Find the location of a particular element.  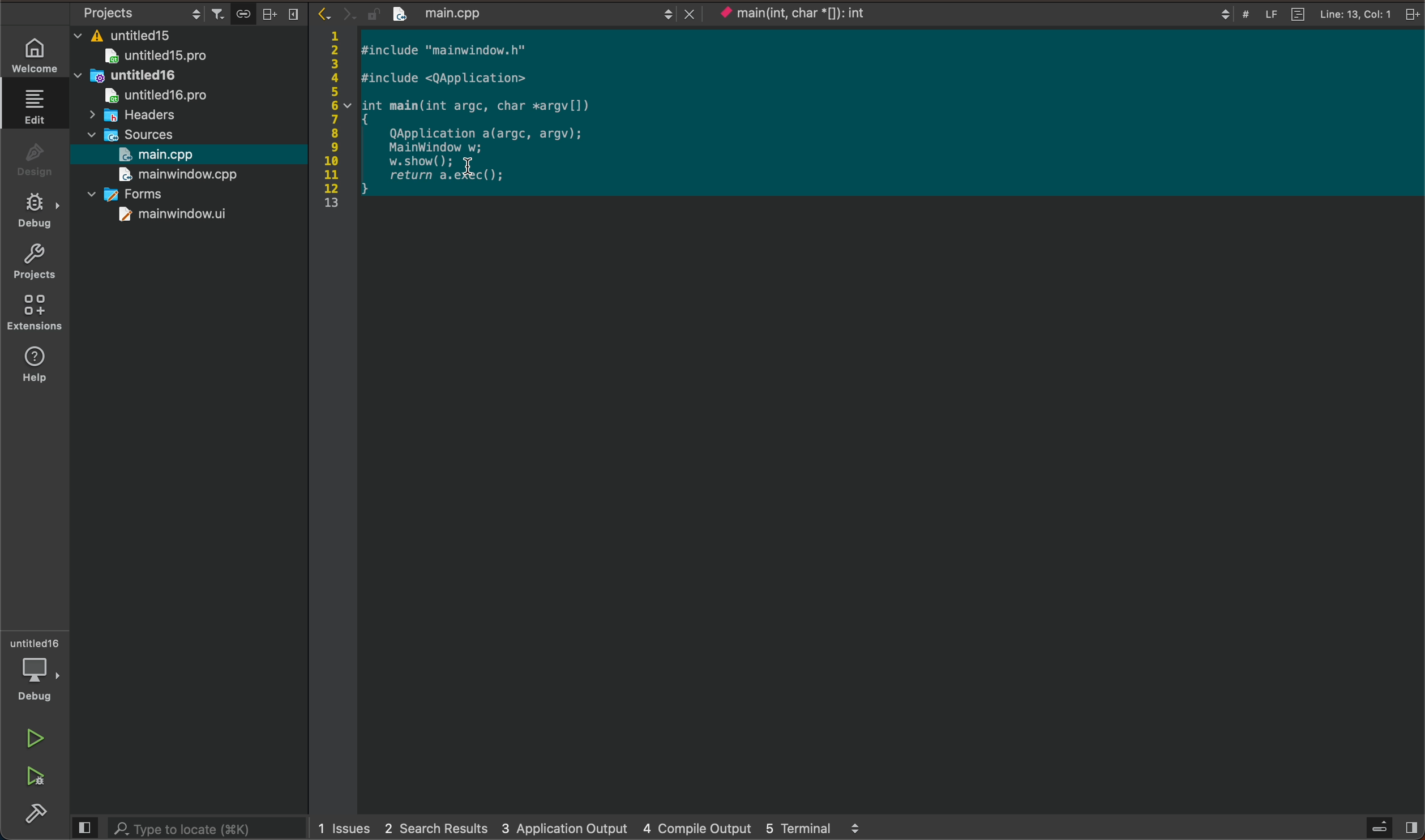

search is located at coordinates (187, 829).